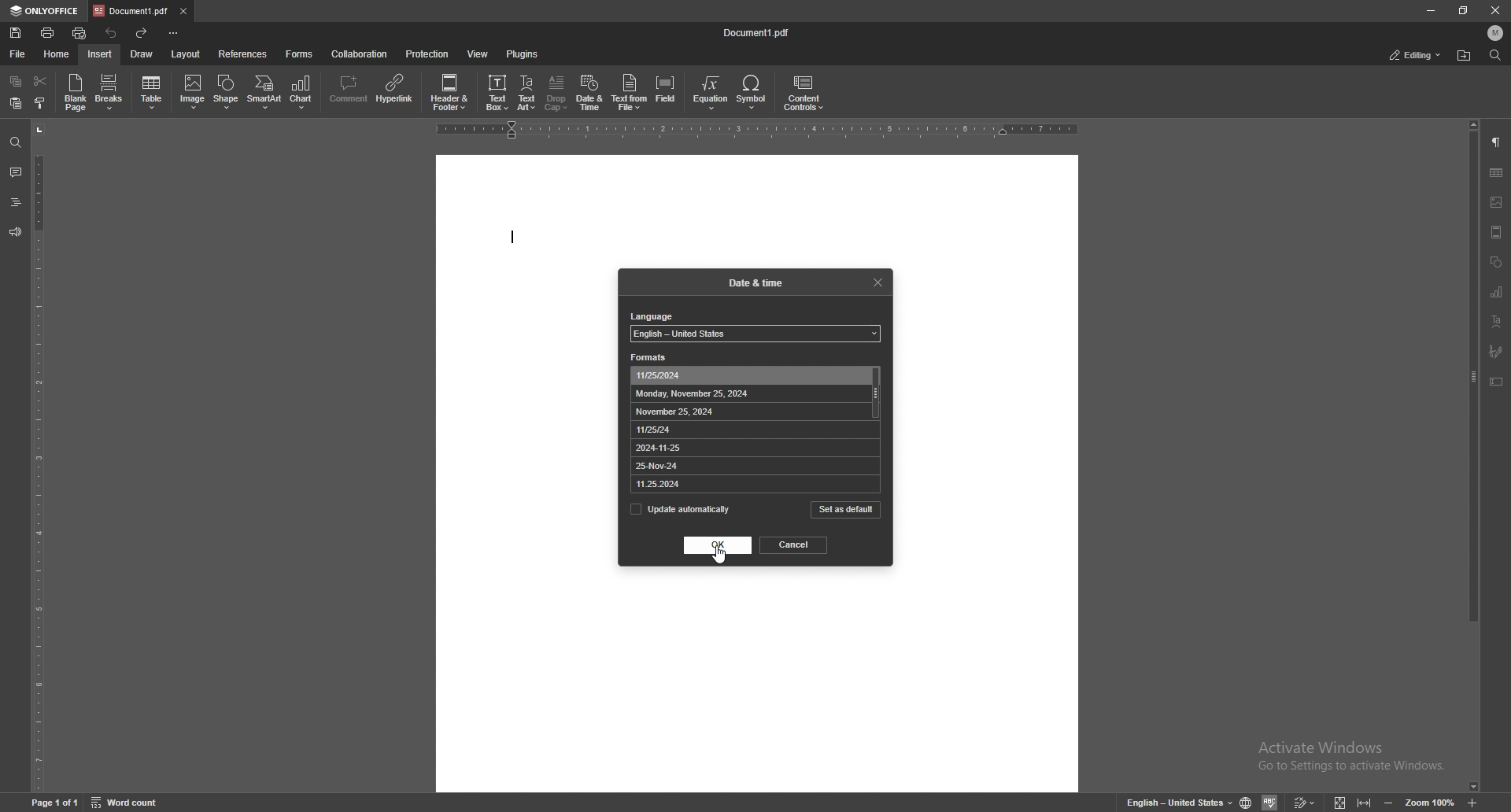 The image size is (1511, 812). I want to click on set doc language, so click(1247, 802).